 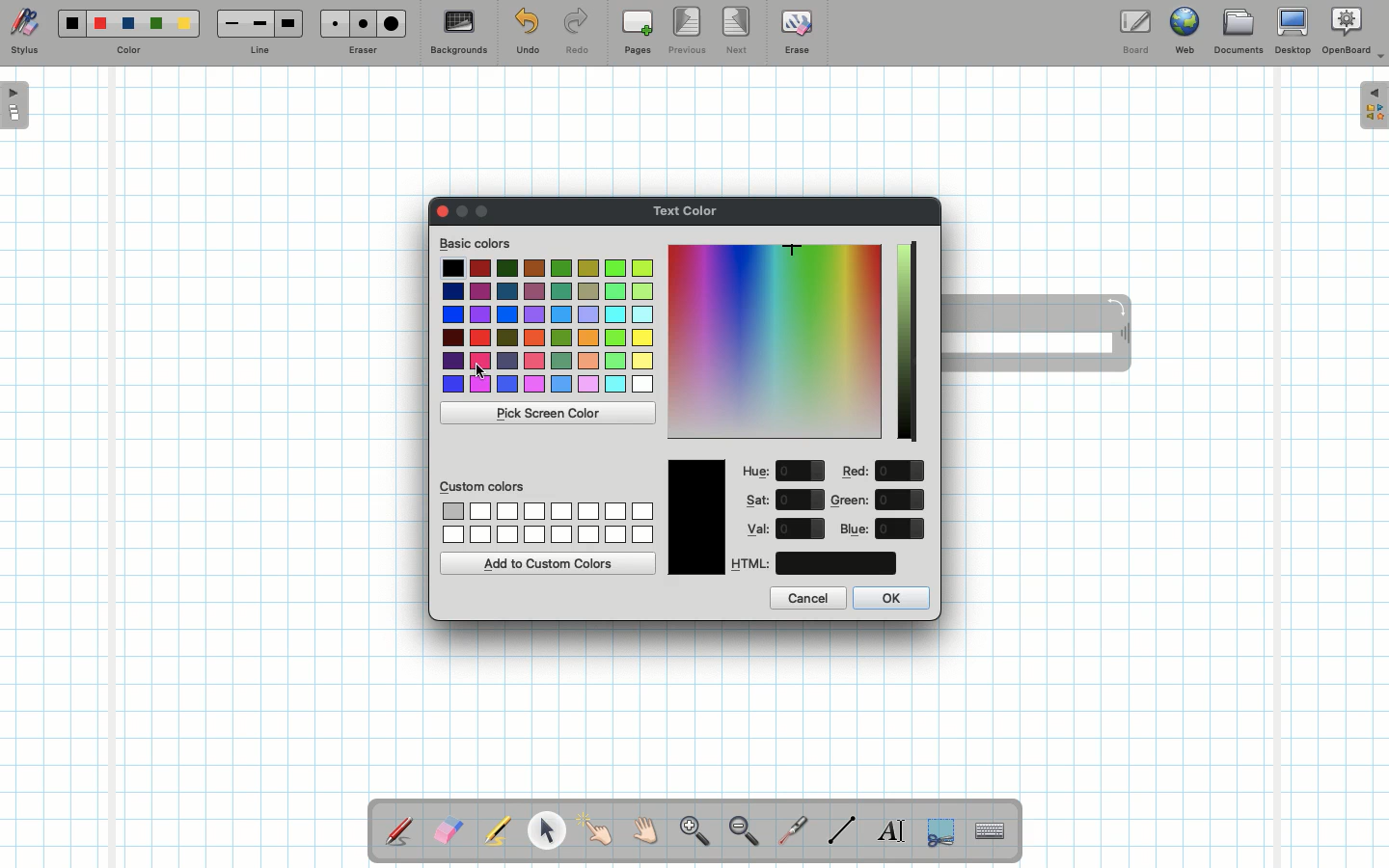 What do you see at coordinates (1374, 105) in the screenshot?
I see `Expand` at bounding box center [1374, 105].